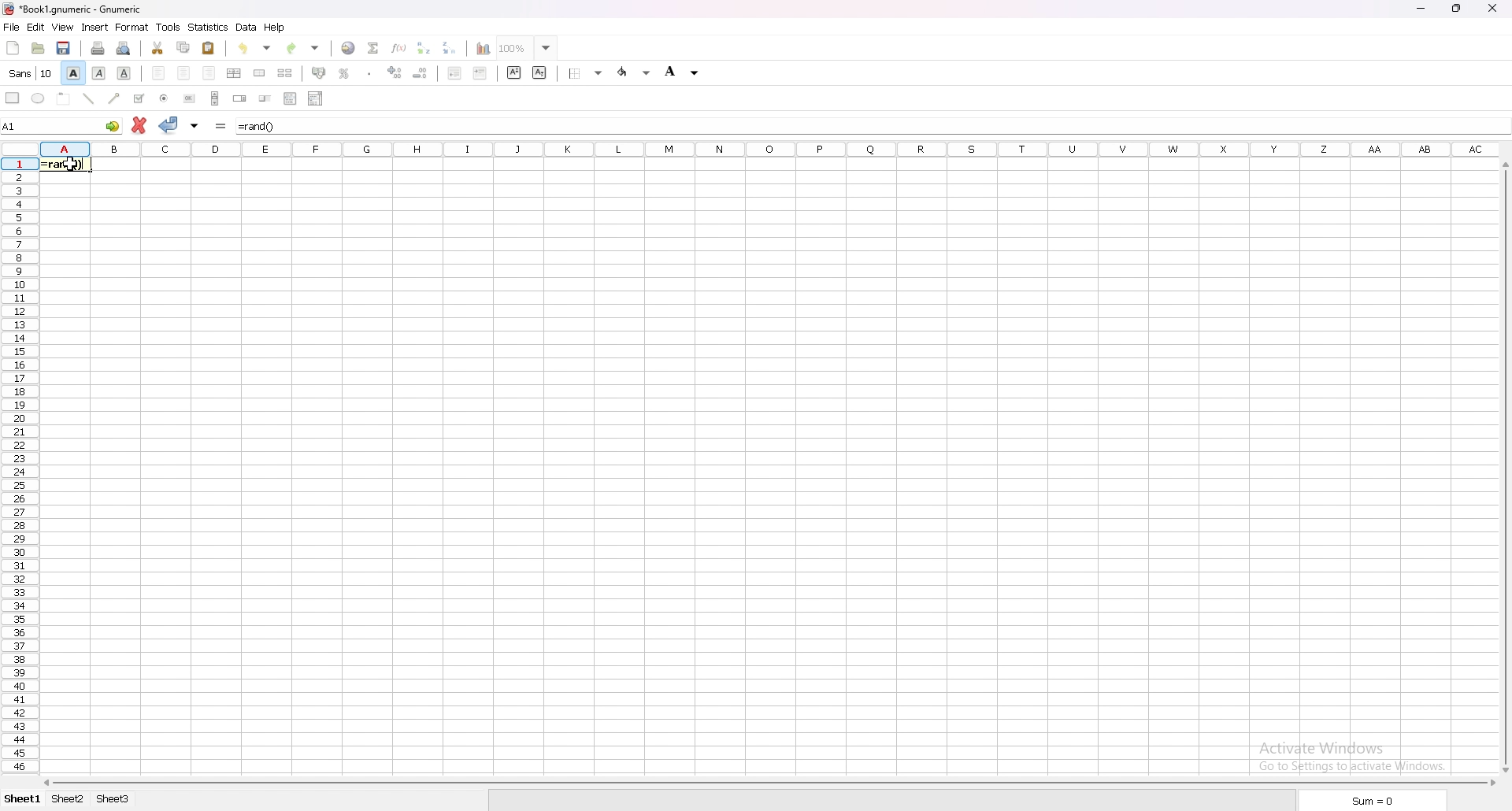  What do you see at coordinates (169, 27) in the screenshot?
I see `tools` at bounding box center [169, 27].